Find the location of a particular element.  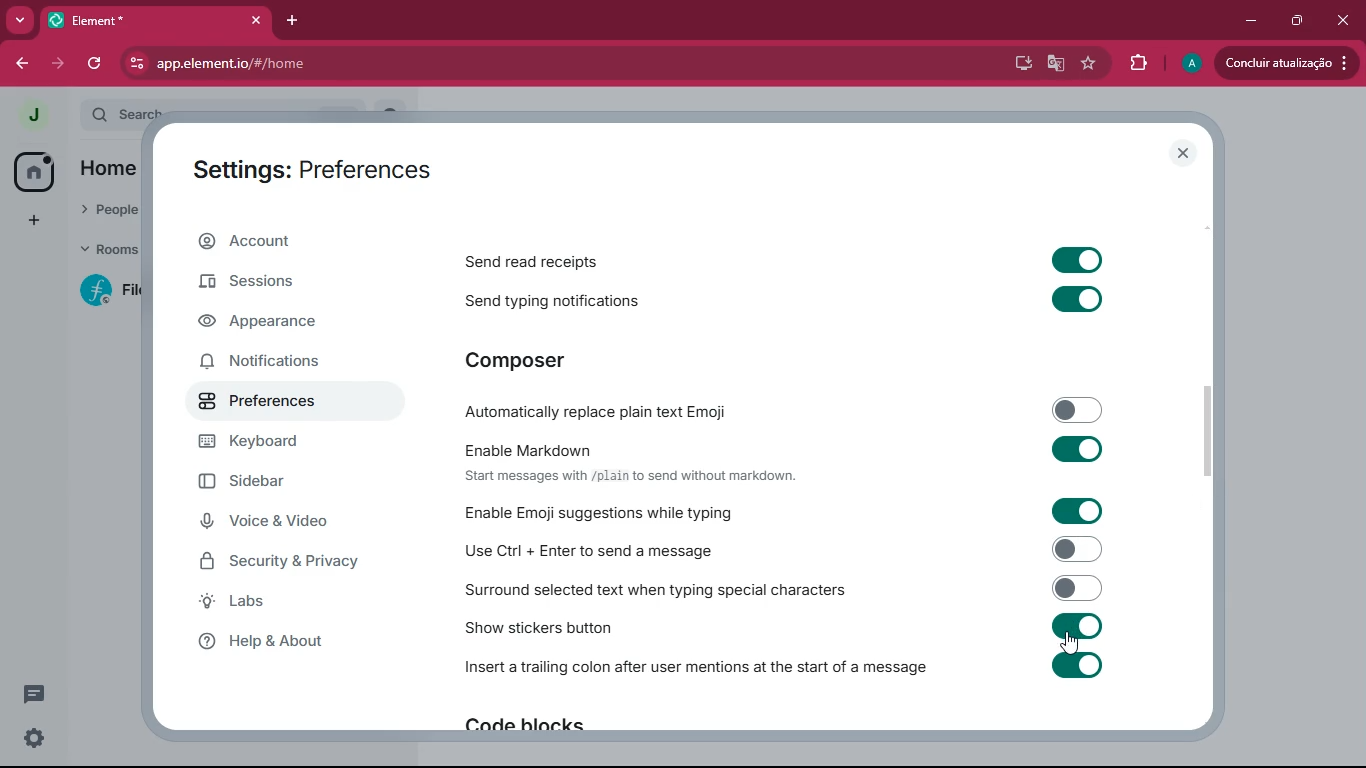

app.element.io/#/home is located at coordinates (365, 63).